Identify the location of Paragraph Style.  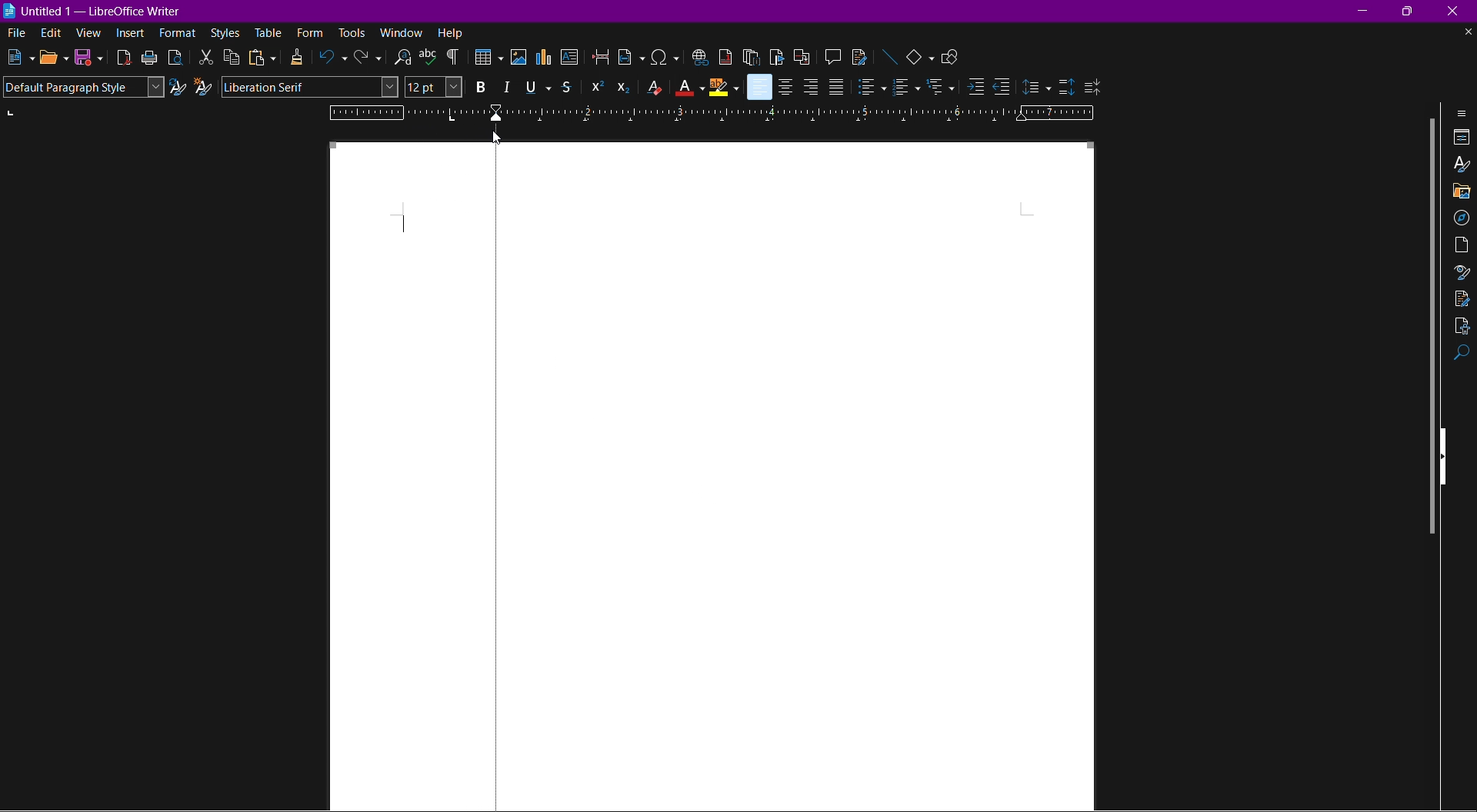
(82, 87).